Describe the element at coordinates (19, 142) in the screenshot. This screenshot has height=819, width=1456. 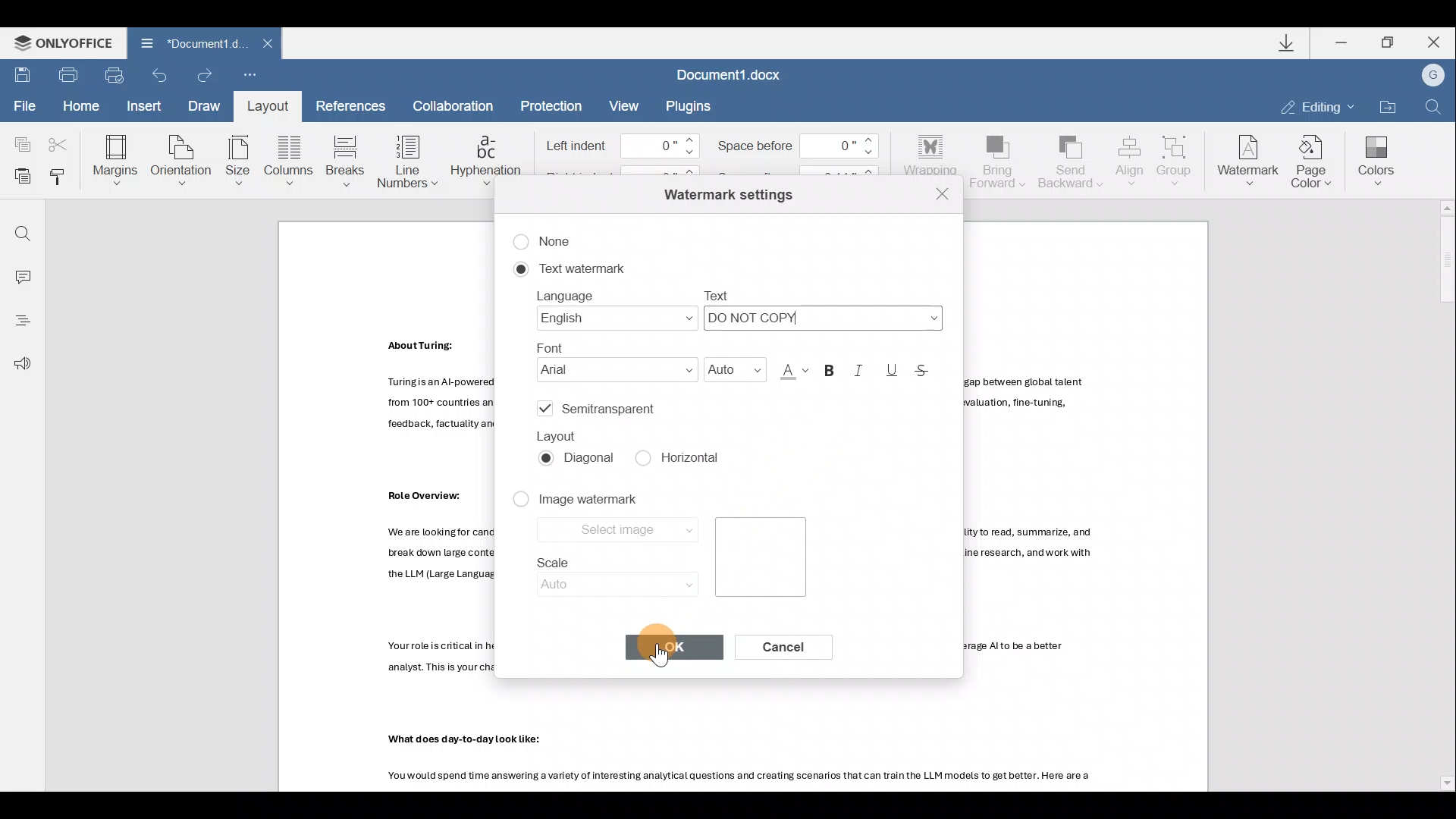
I see `Copy` at that location.